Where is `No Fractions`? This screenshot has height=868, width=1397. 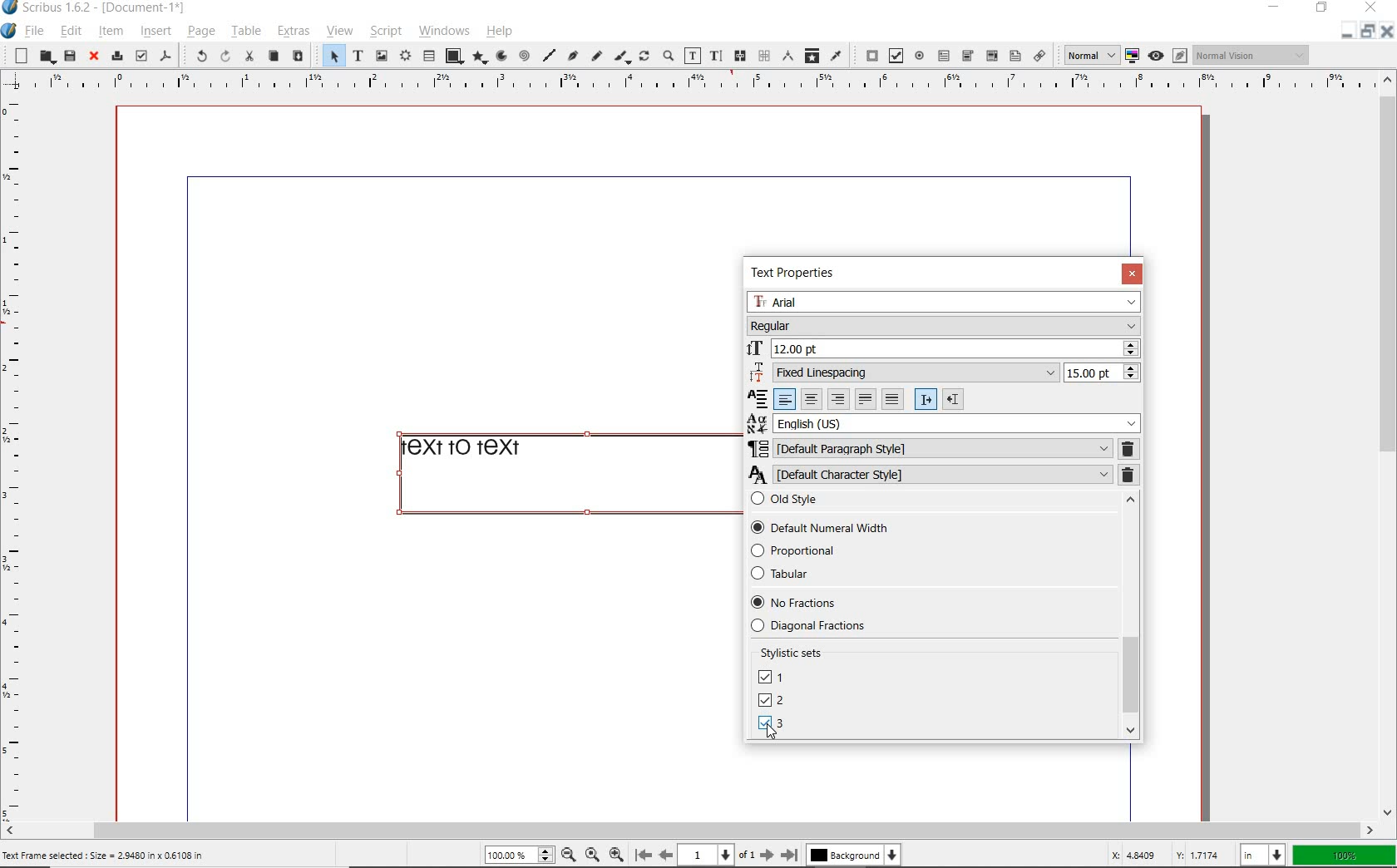
No Fractions is located at coordinates (793, 602).